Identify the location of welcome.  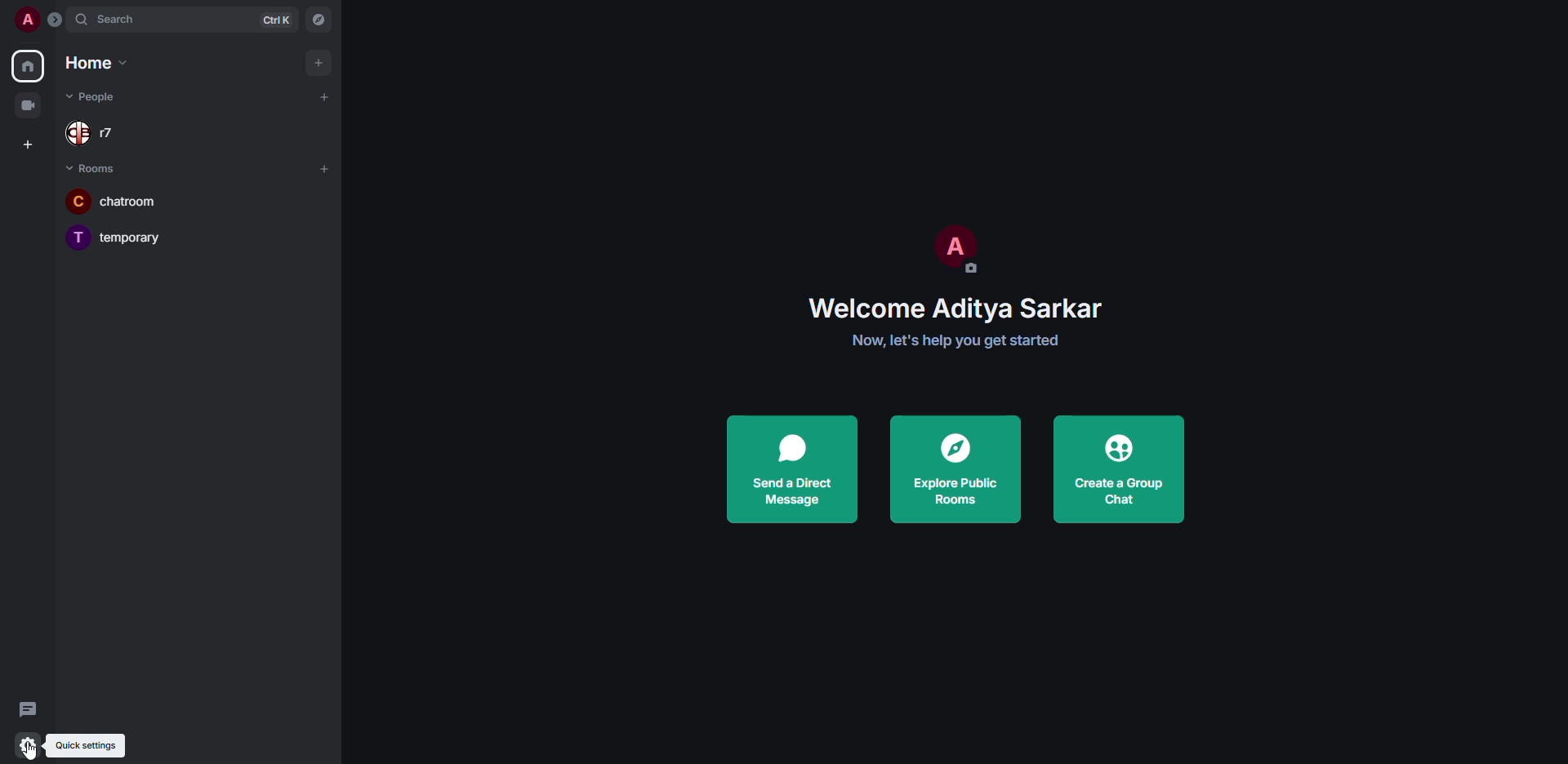
(953, 308).